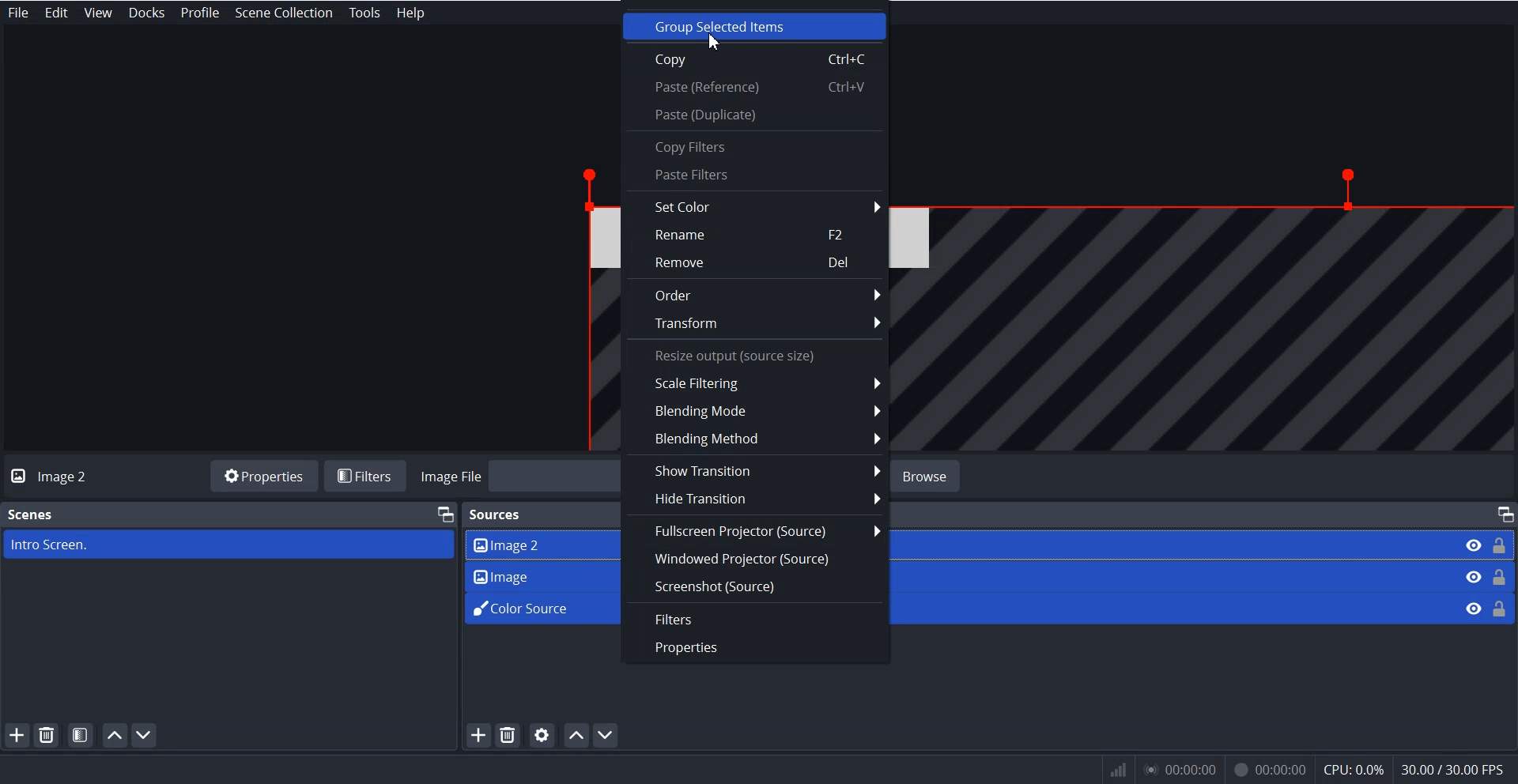  Describe the element at coordinates (1208, 303) in the screenshot. I see `File Overview` at that location.